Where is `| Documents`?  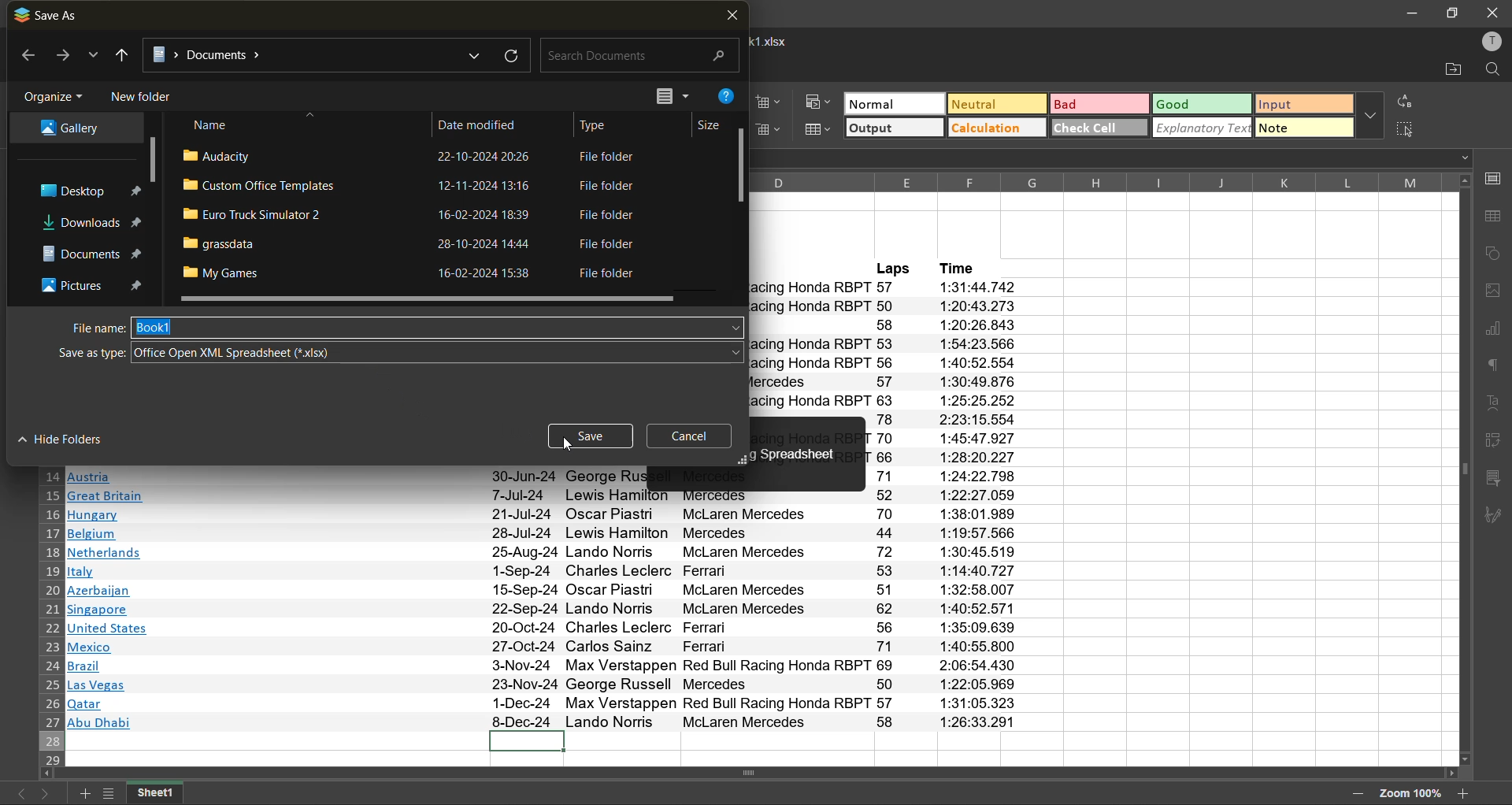 | Documents is located at coordinates (91, 256).